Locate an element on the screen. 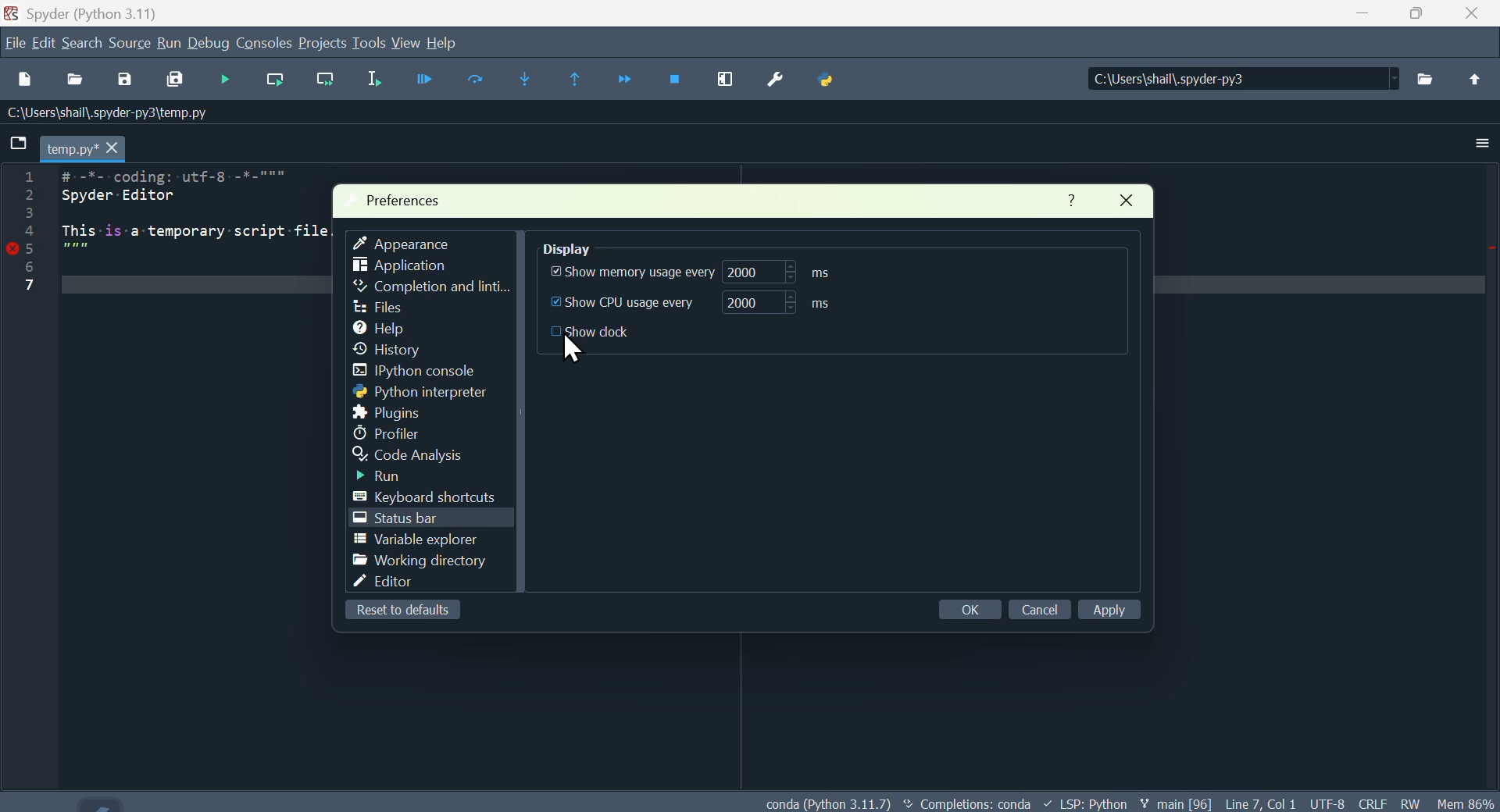 The image size is (1500, 812).  is located at coordinates (168, 42).